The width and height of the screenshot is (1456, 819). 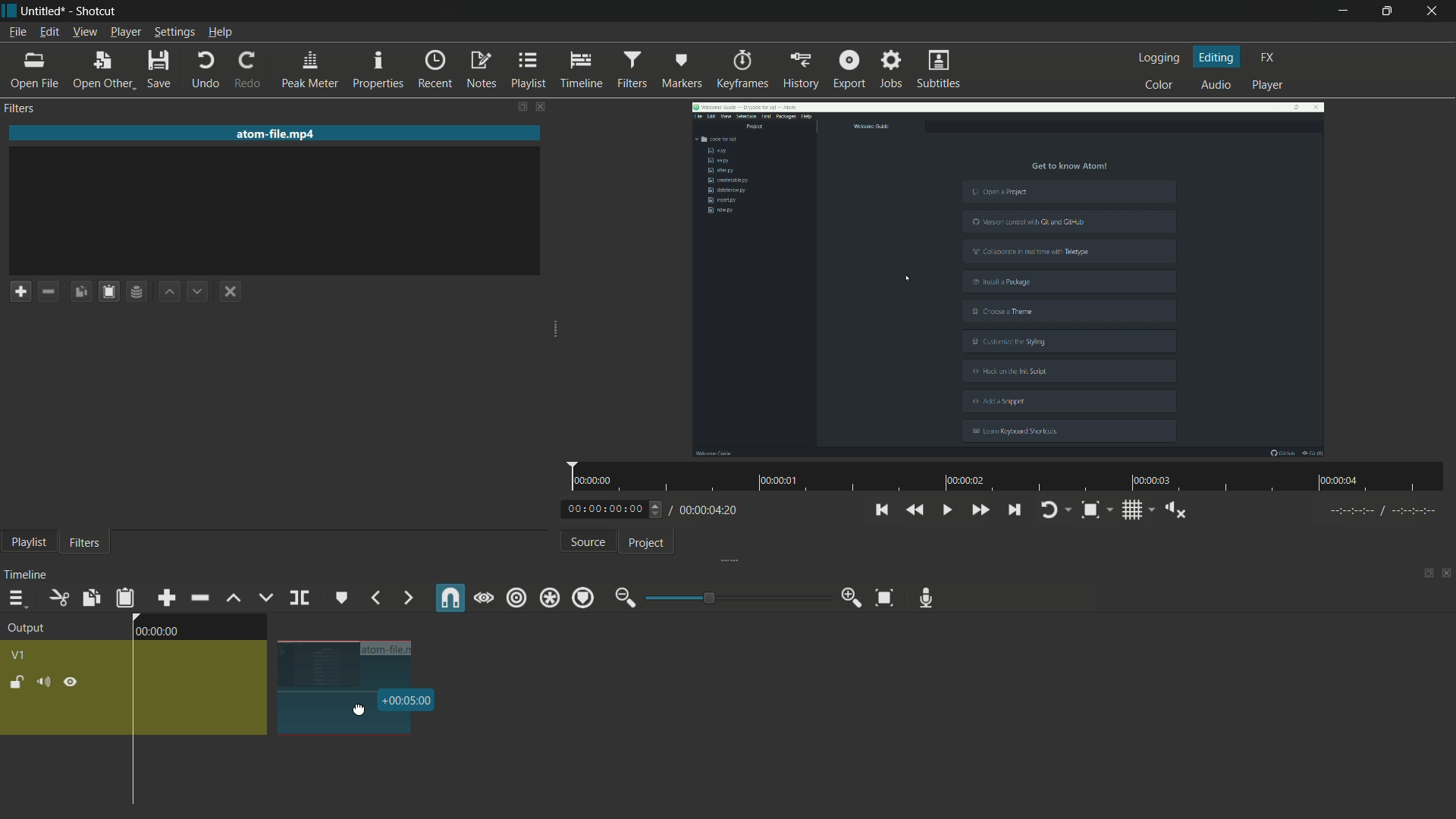 What do you see at coordinates (233, 600) in the screenshot?
I see `move filter up` at bounding box center [233, 600].